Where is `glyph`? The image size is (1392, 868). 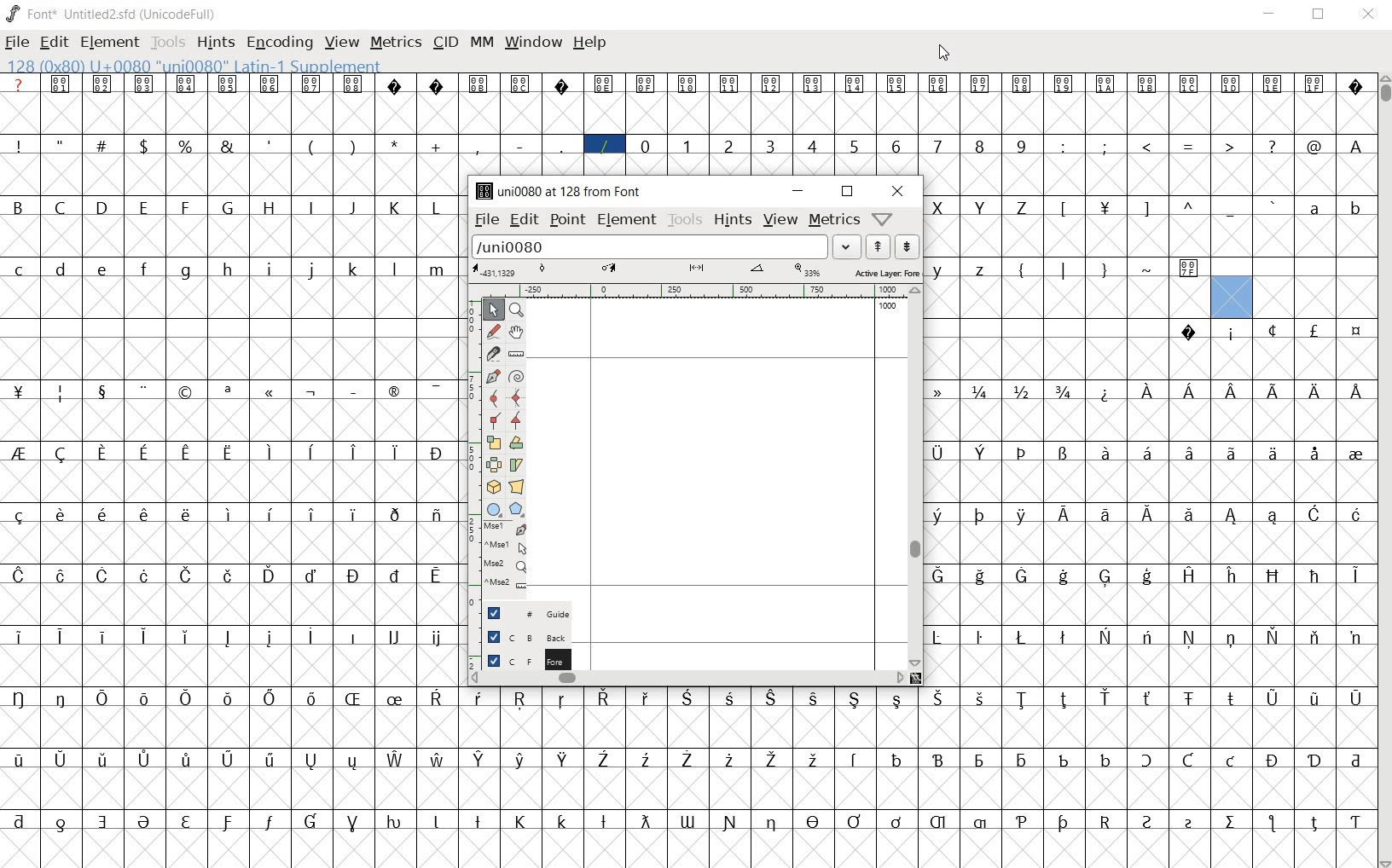
glyph is located at coordinates (229, 576).